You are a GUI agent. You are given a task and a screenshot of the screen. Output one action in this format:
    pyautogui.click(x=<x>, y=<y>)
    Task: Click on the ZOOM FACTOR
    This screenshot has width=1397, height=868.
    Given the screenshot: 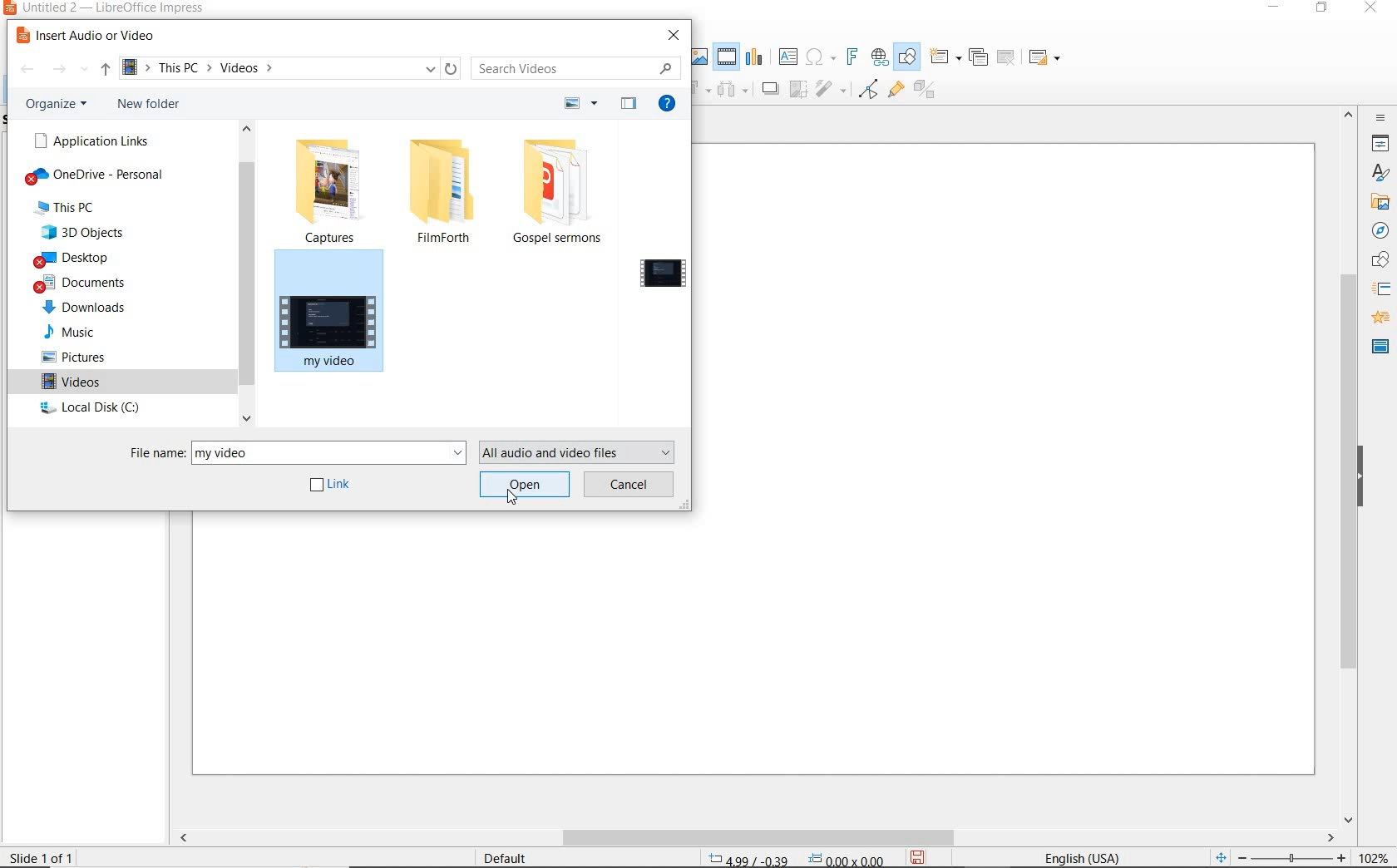 What is the action you would take?
    pyautogui.click(x=1375, y=854)
    